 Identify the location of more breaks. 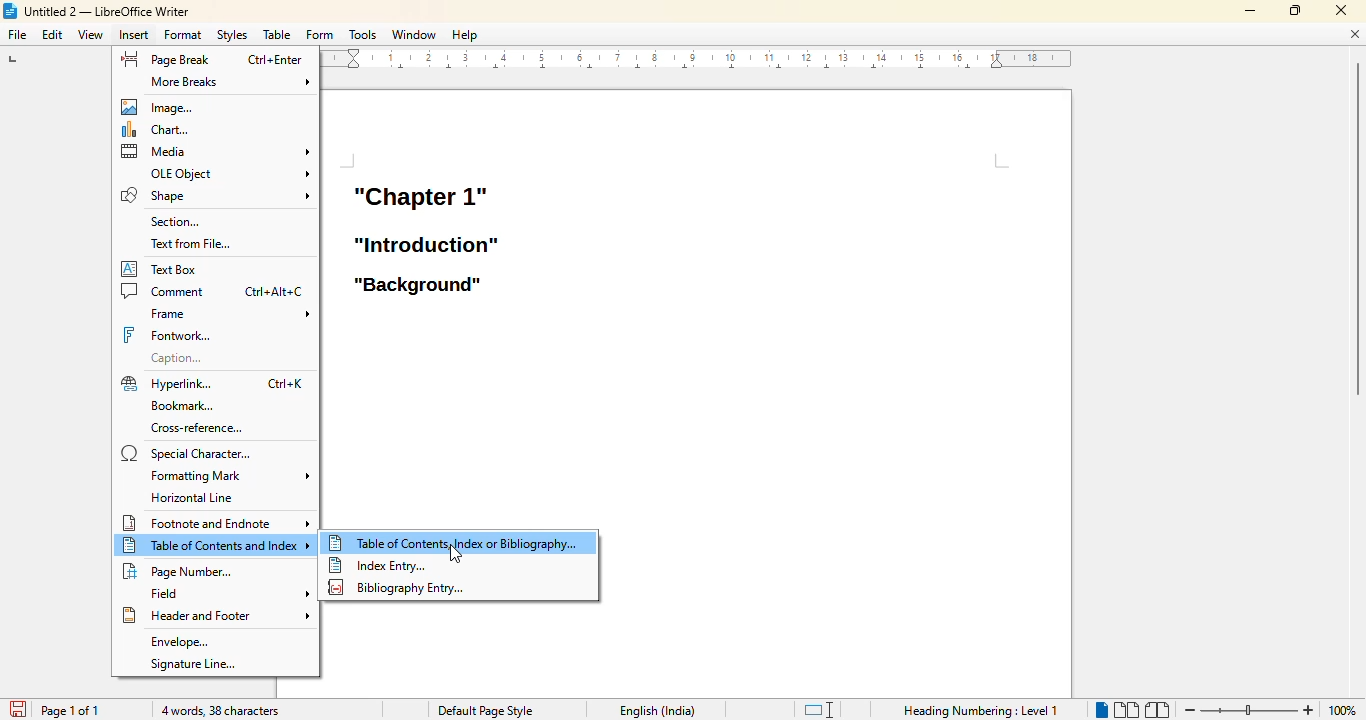
(231, 82).